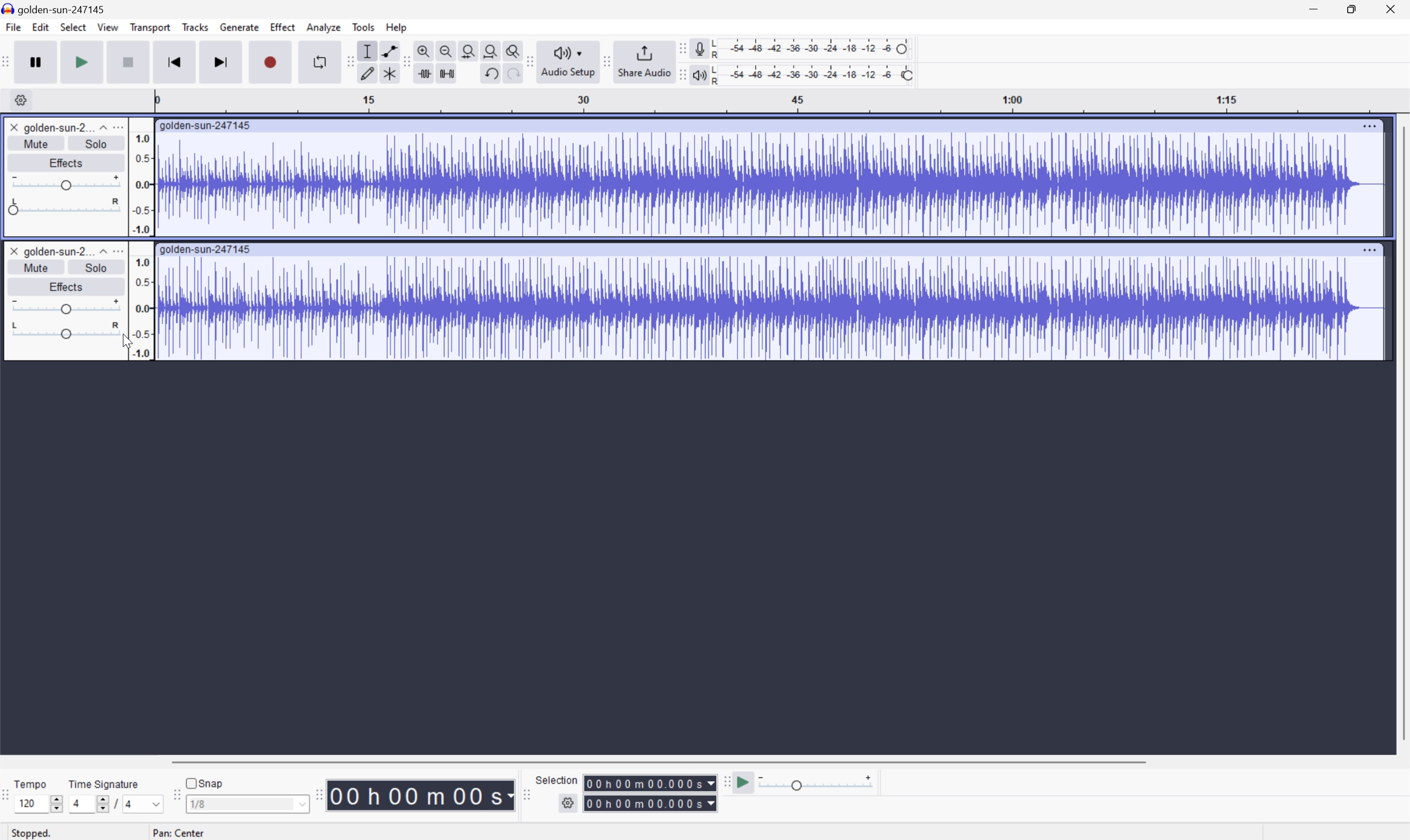 The image size is (1410, 840). What do you see at coordinates (1401, 432) in the screenshot?
I see `Scroll Bar` at bounding box center [1401, 432].